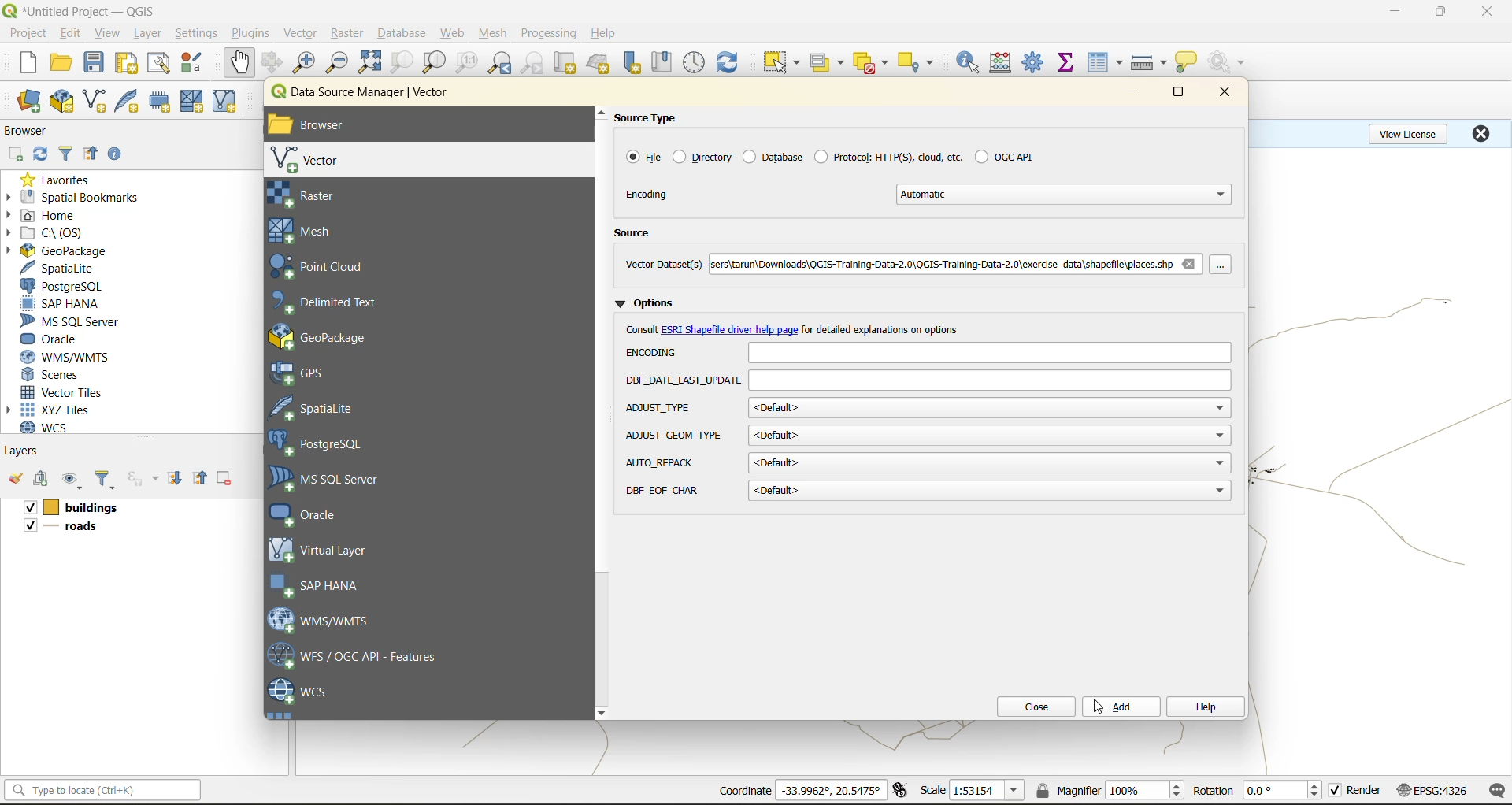 The width and height of the screenshot is (1512, 805). Describe the element at coordinates (400, 64) in the screenshot. I see `zoom selection` at that location.